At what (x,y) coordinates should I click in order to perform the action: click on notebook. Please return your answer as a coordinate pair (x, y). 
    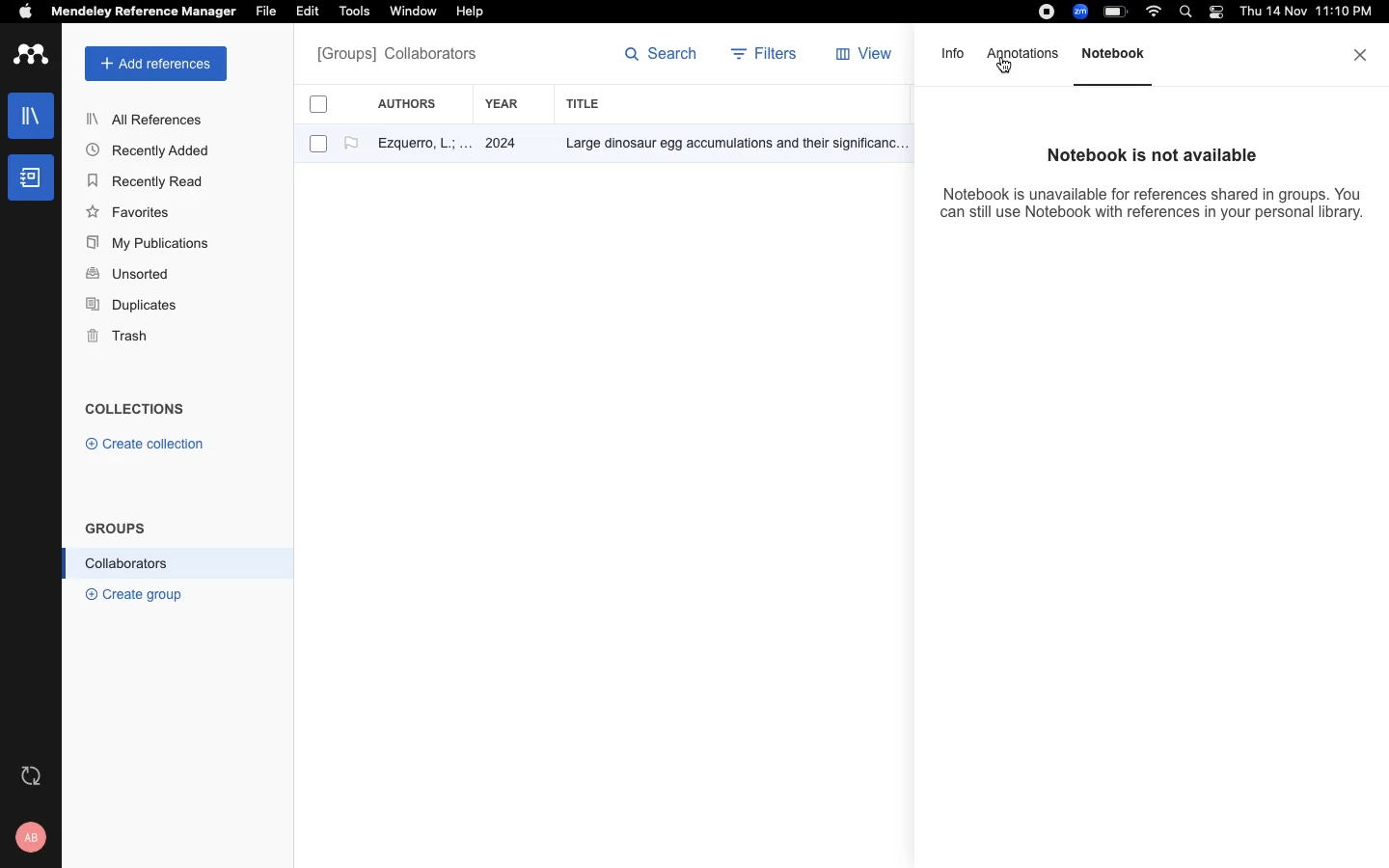
    Looking at the image, I should click on (31, 177).